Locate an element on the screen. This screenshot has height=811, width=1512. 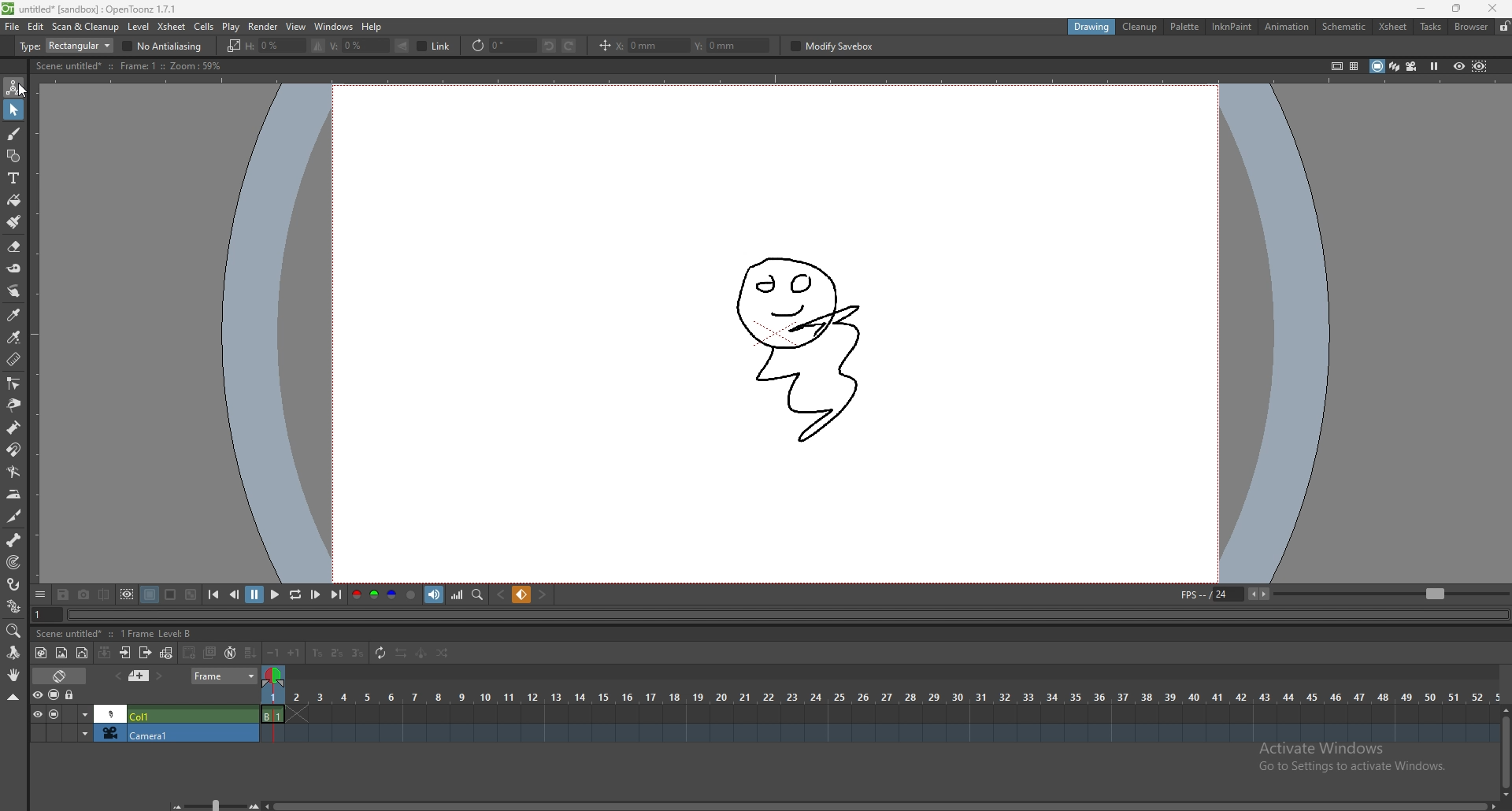
view is located at coordinates (297, 27).